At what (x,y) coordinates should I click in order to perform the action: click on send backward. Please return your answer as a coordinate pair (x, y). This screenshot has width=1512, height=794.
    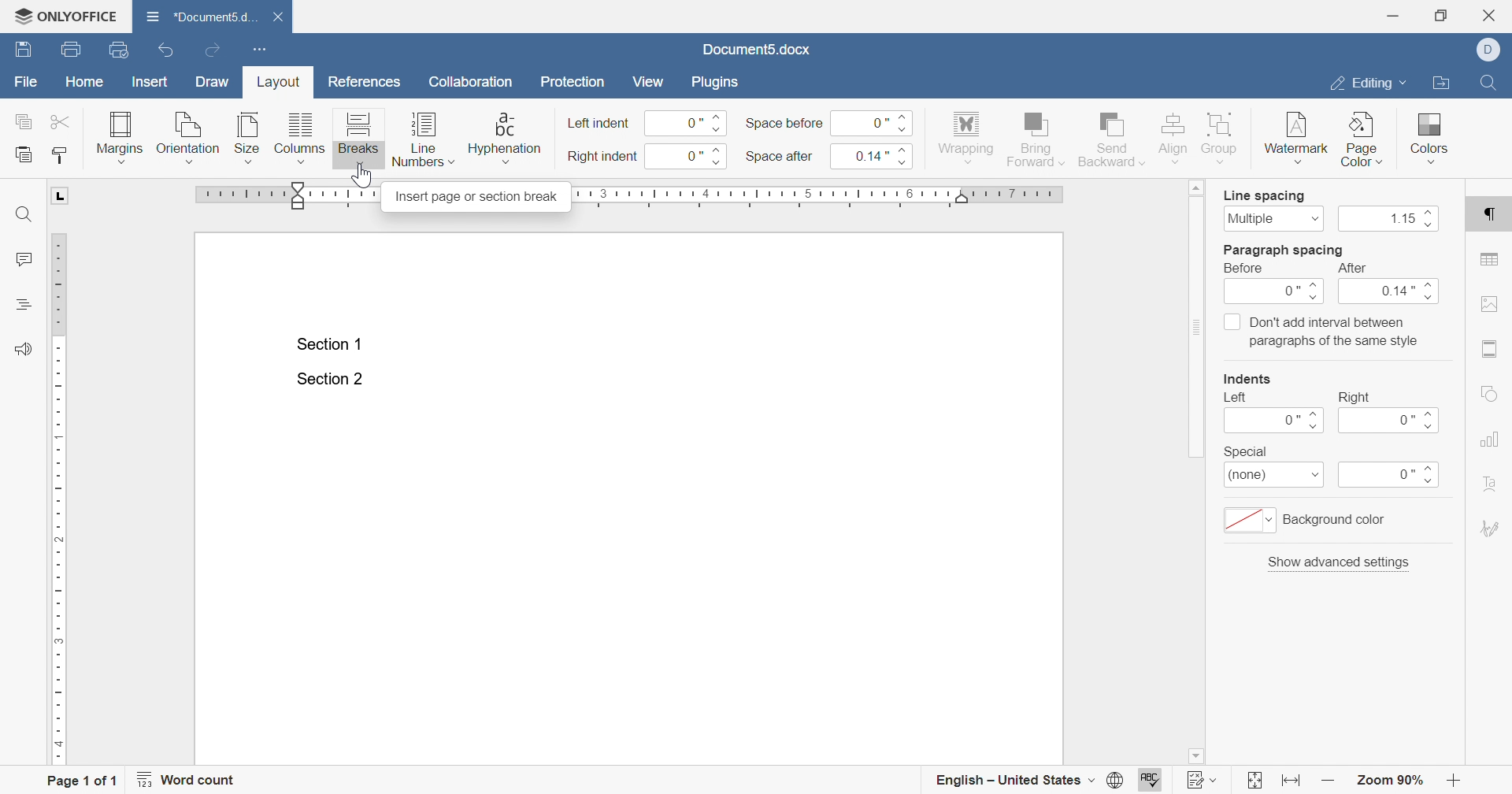
    Looking at the image, I should click on (1113, 137).